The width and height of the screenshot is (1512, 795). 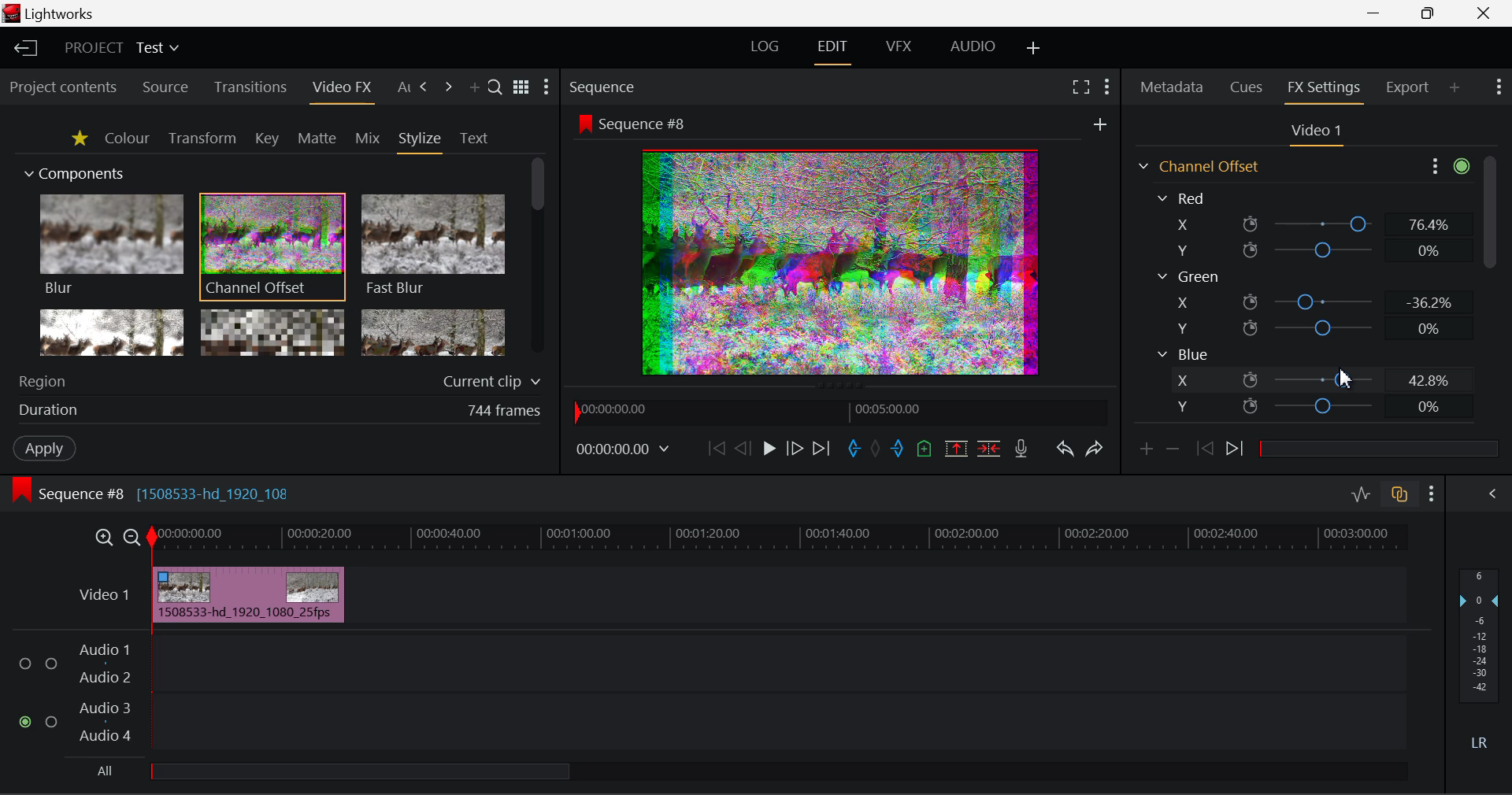 What do you see at coordinates (433, 331) in the screenshot?
I see `Posterize` at bounding box center [433, 331].